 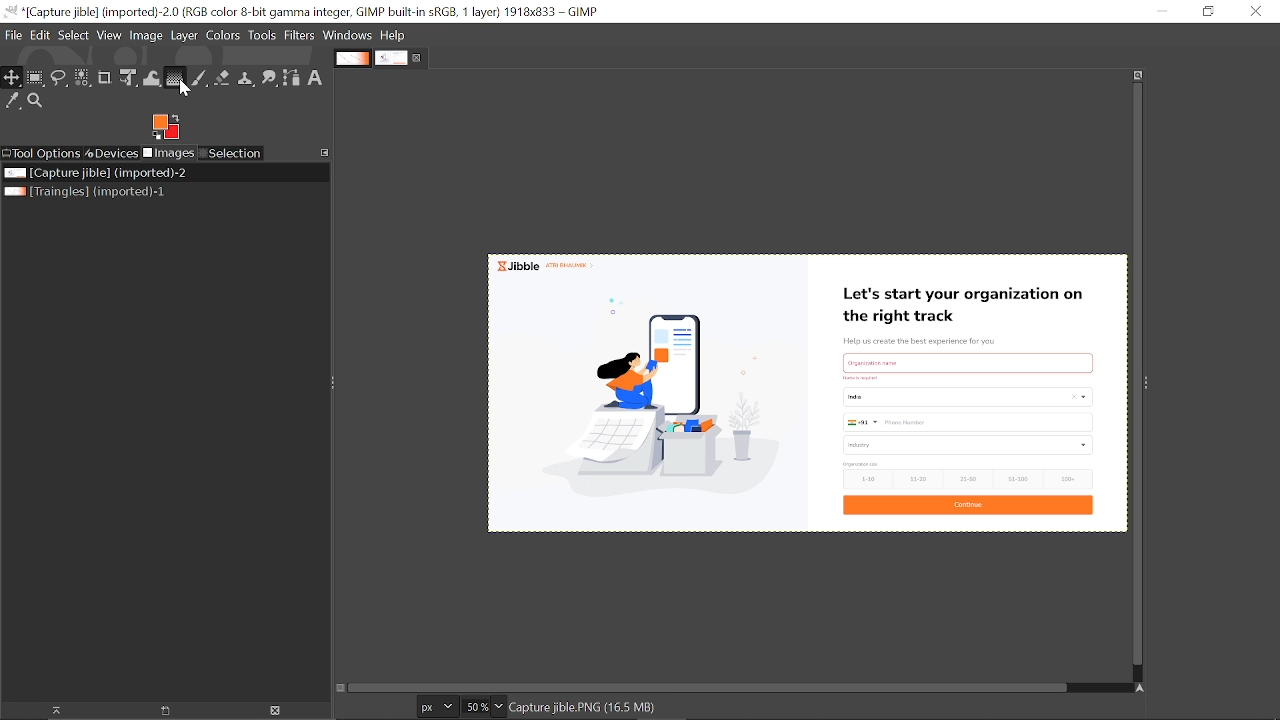 What do you see at coordinates (302, 35) in the screenshot?
I see `Filters` at bounding box center [302, 35].